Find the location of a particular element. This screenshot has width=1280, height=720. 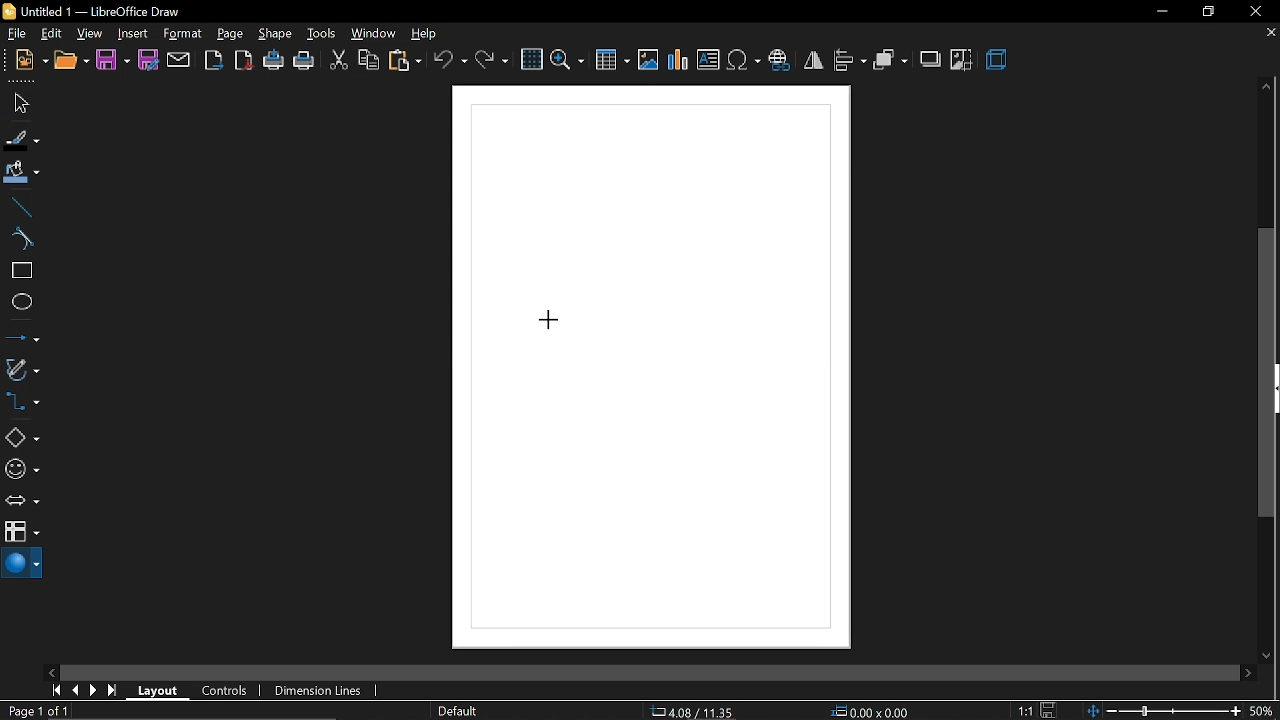

fill line is located at coordinates (22, 141).